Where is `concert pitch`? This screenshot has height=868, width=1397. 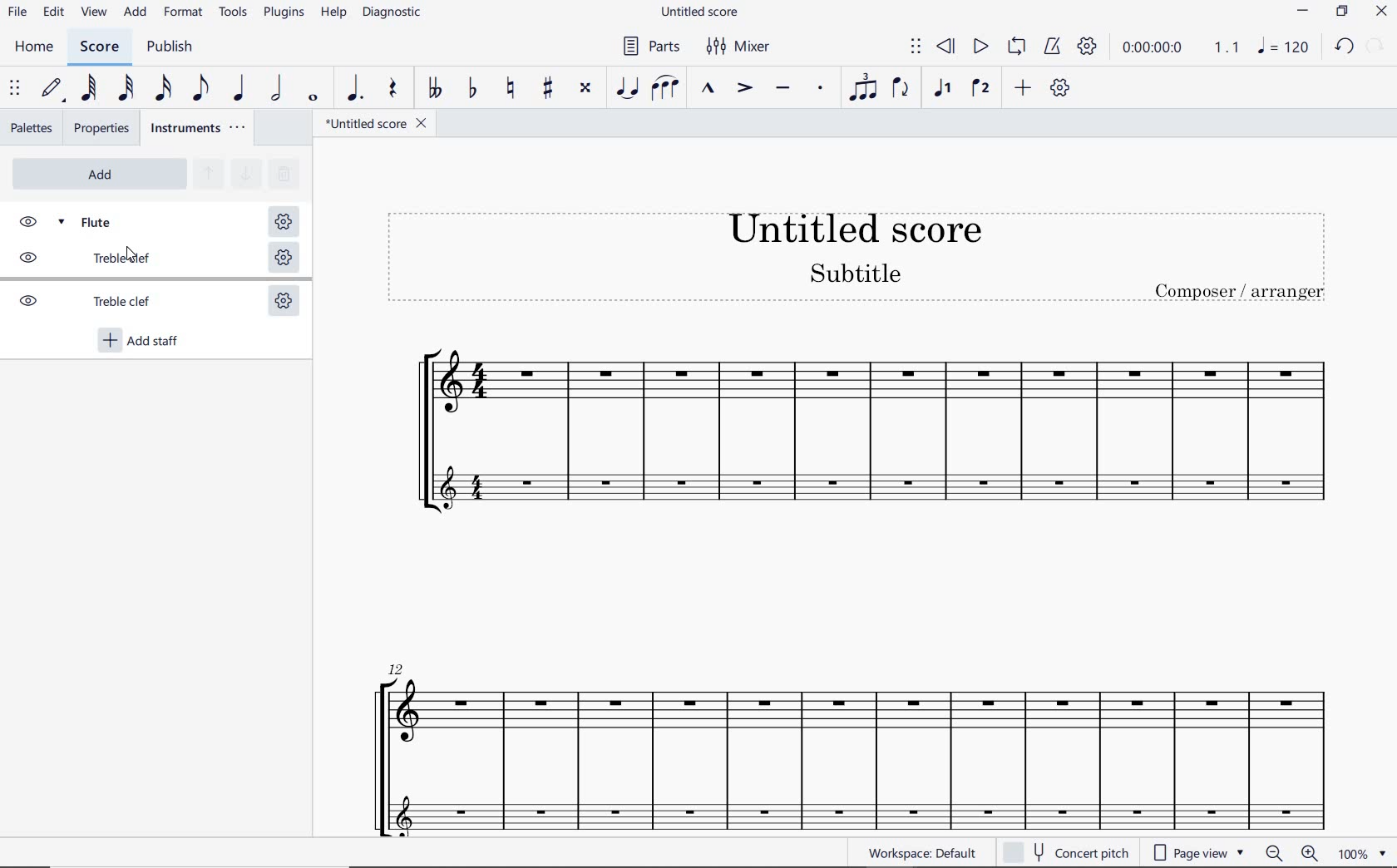
concert pitch is located at coordinates (1069, 852).